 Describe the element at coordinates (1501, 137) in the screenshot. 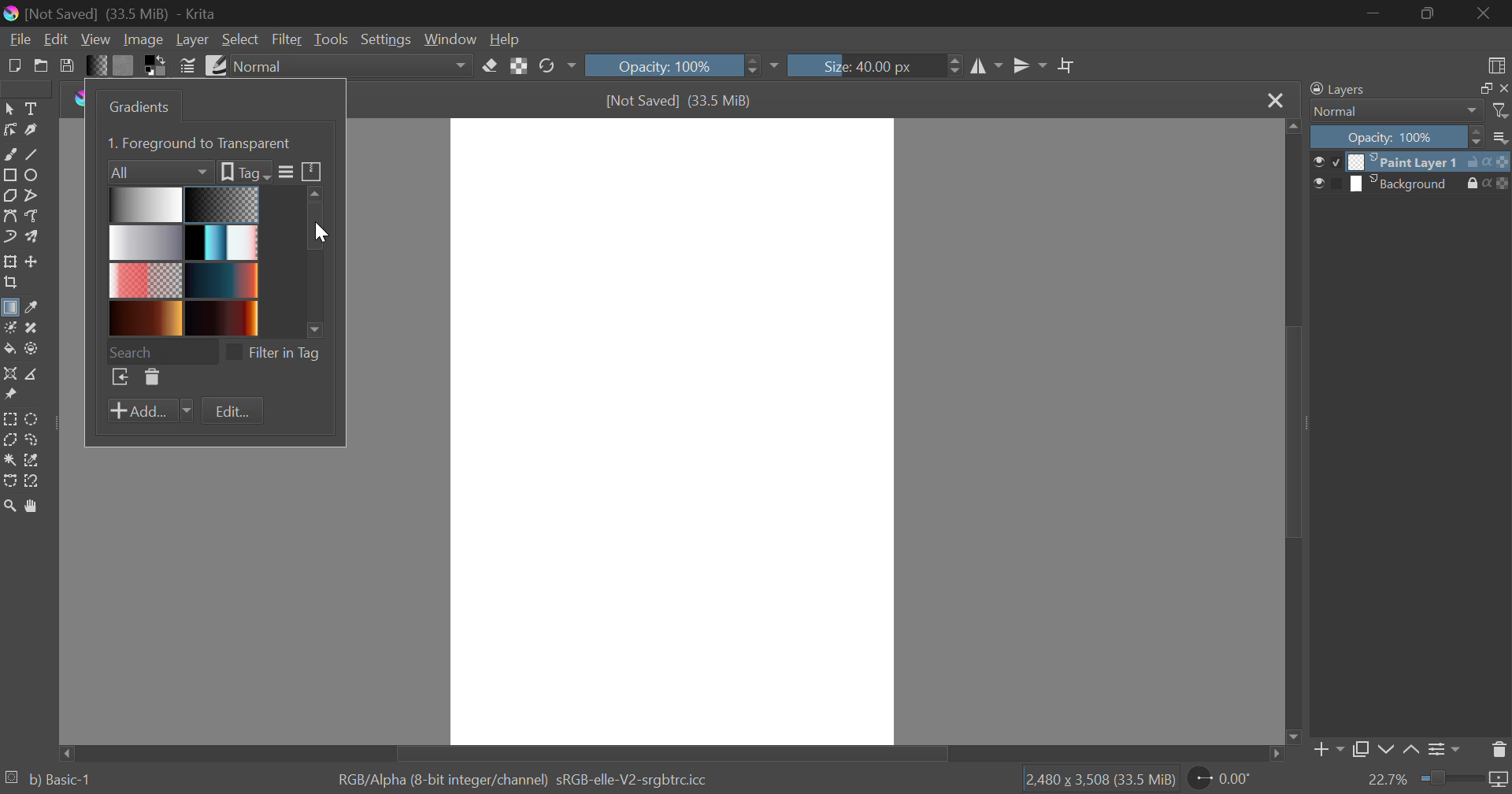

I see `more options` at that location.